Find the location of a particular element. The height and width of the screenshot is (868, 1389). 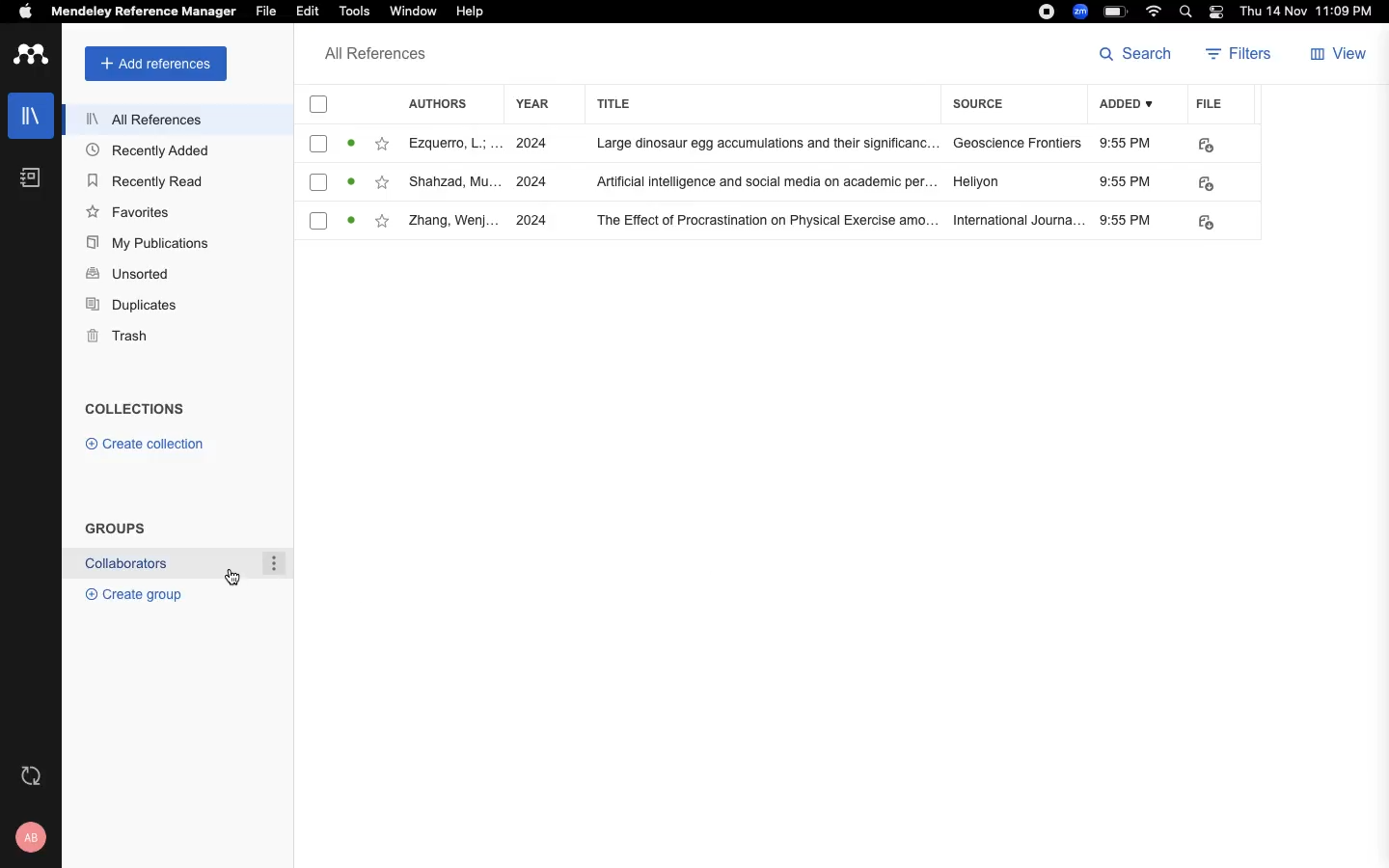

file is located at coordinates (1210, 107).